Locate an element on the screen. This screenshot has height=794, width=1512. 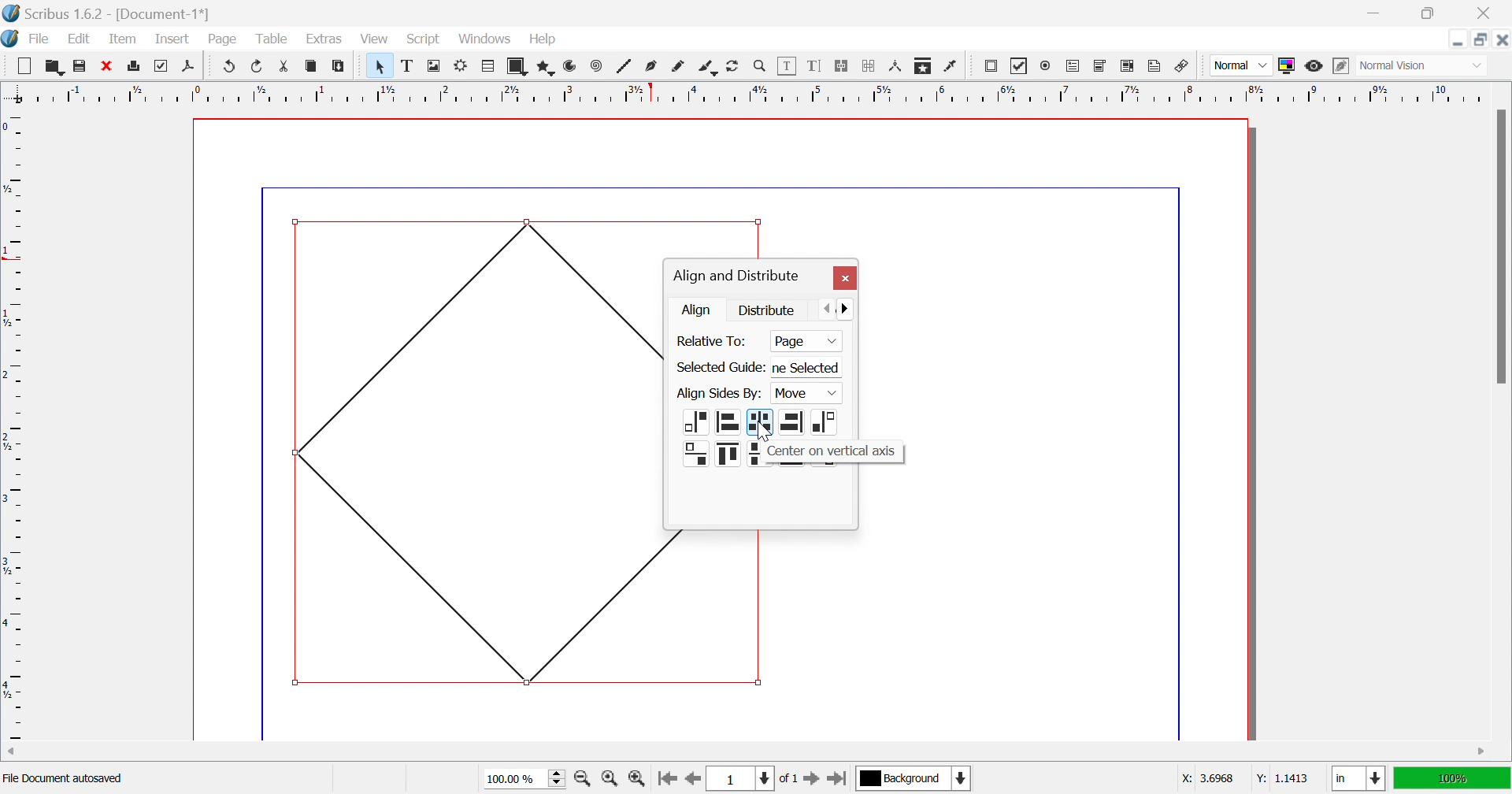
Polygon is located at coordinates (547, 68).